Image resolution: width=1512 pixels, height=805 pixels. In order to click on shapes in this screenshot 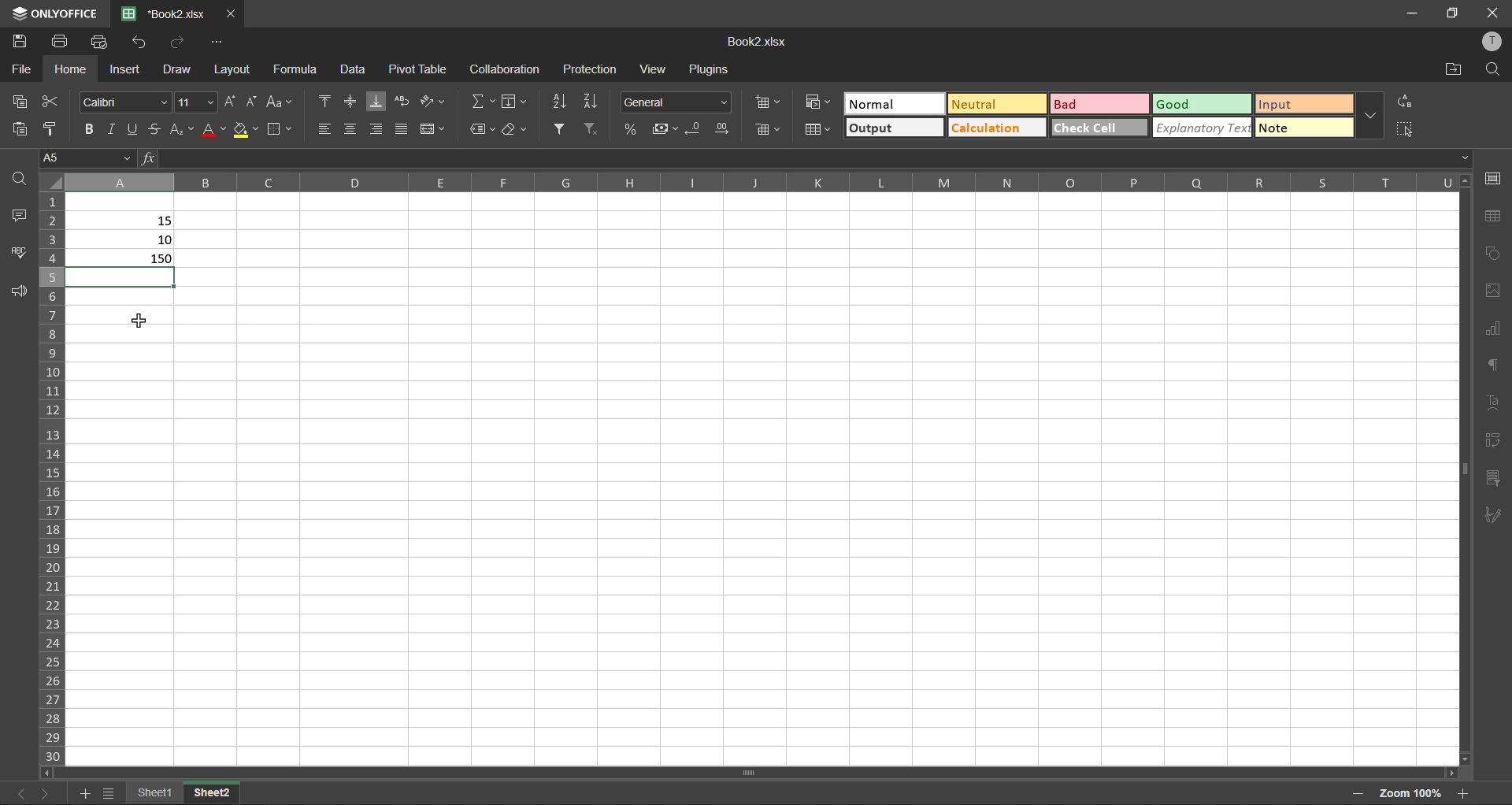, I will do `click(1493, 253)`.